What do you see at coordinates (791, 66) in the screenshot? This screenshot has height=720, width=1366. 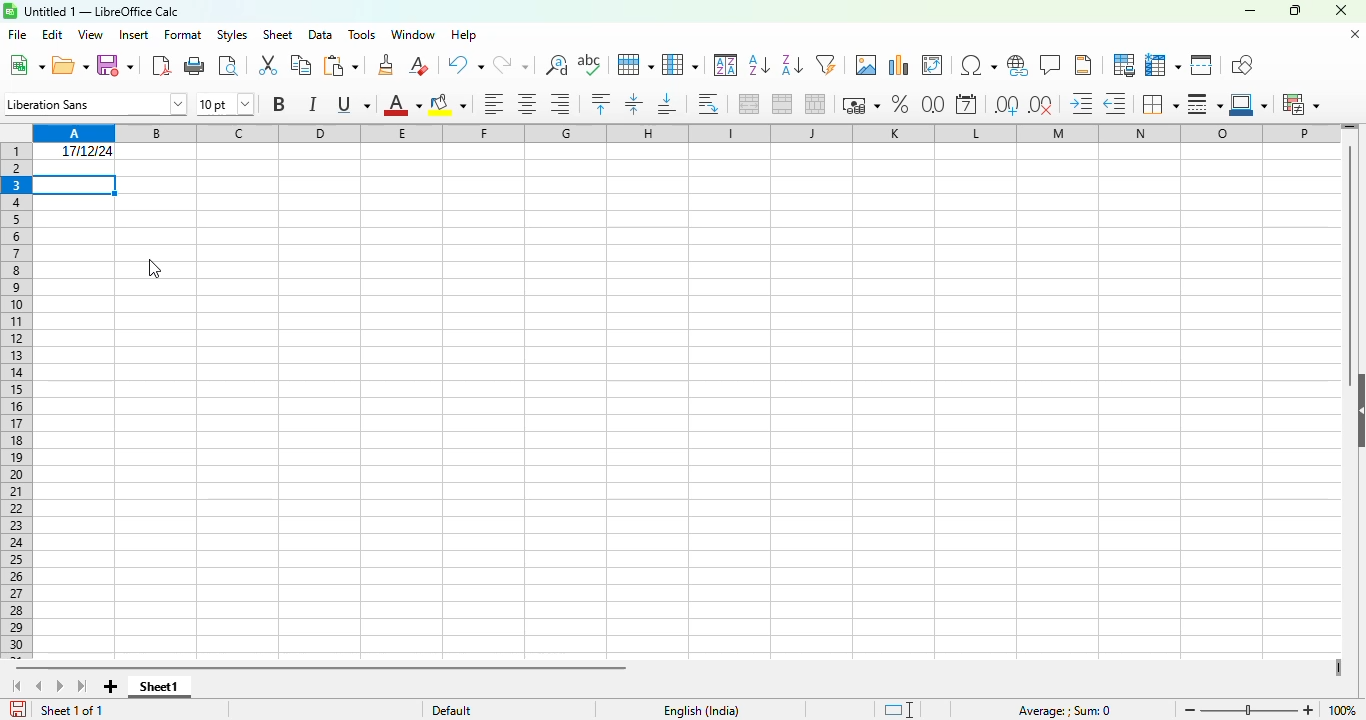 I see `sort descending` at bounding box center [791, 66].